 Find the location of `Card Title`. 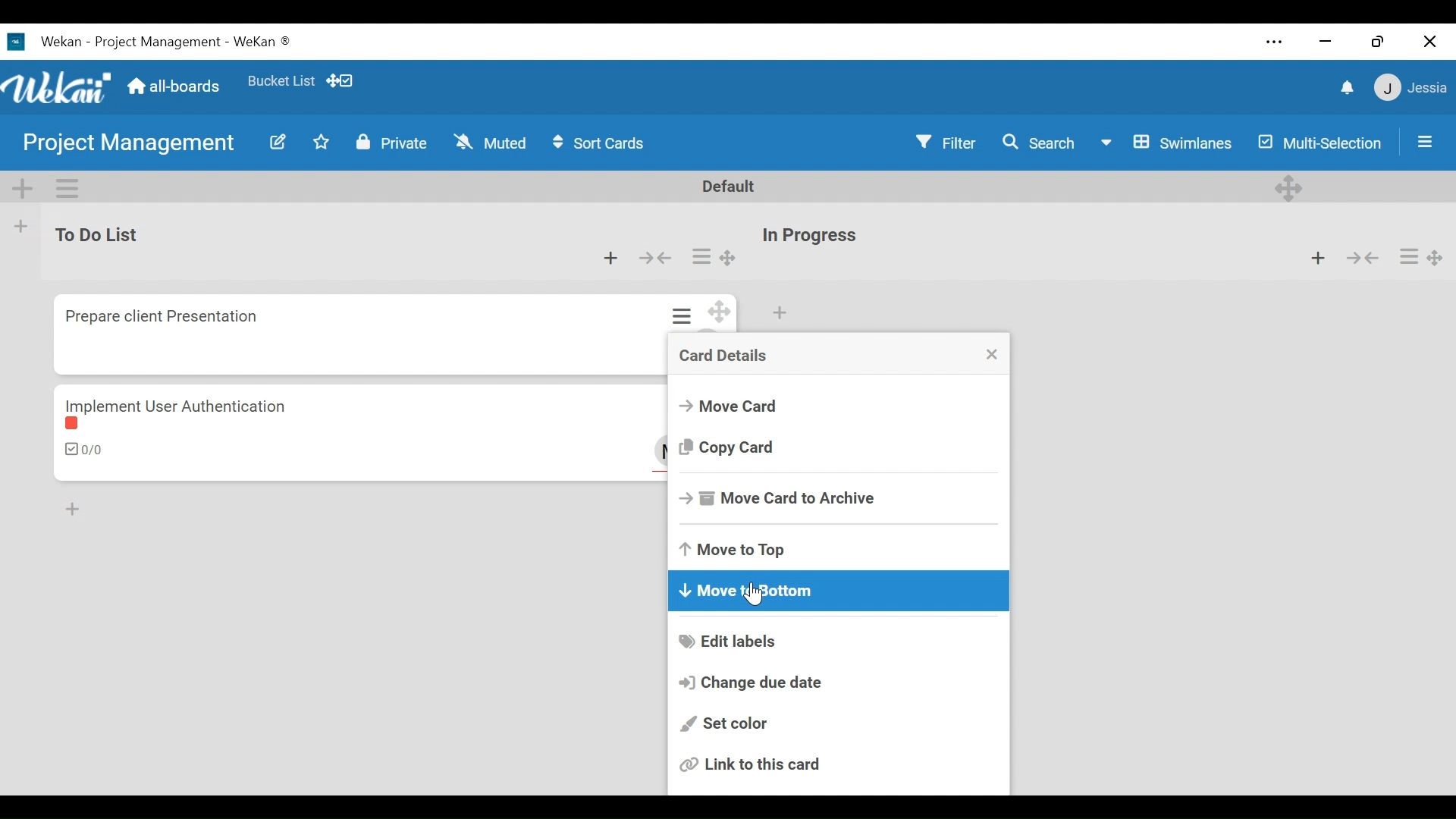

Card Title is located at coordinates (178, 405).